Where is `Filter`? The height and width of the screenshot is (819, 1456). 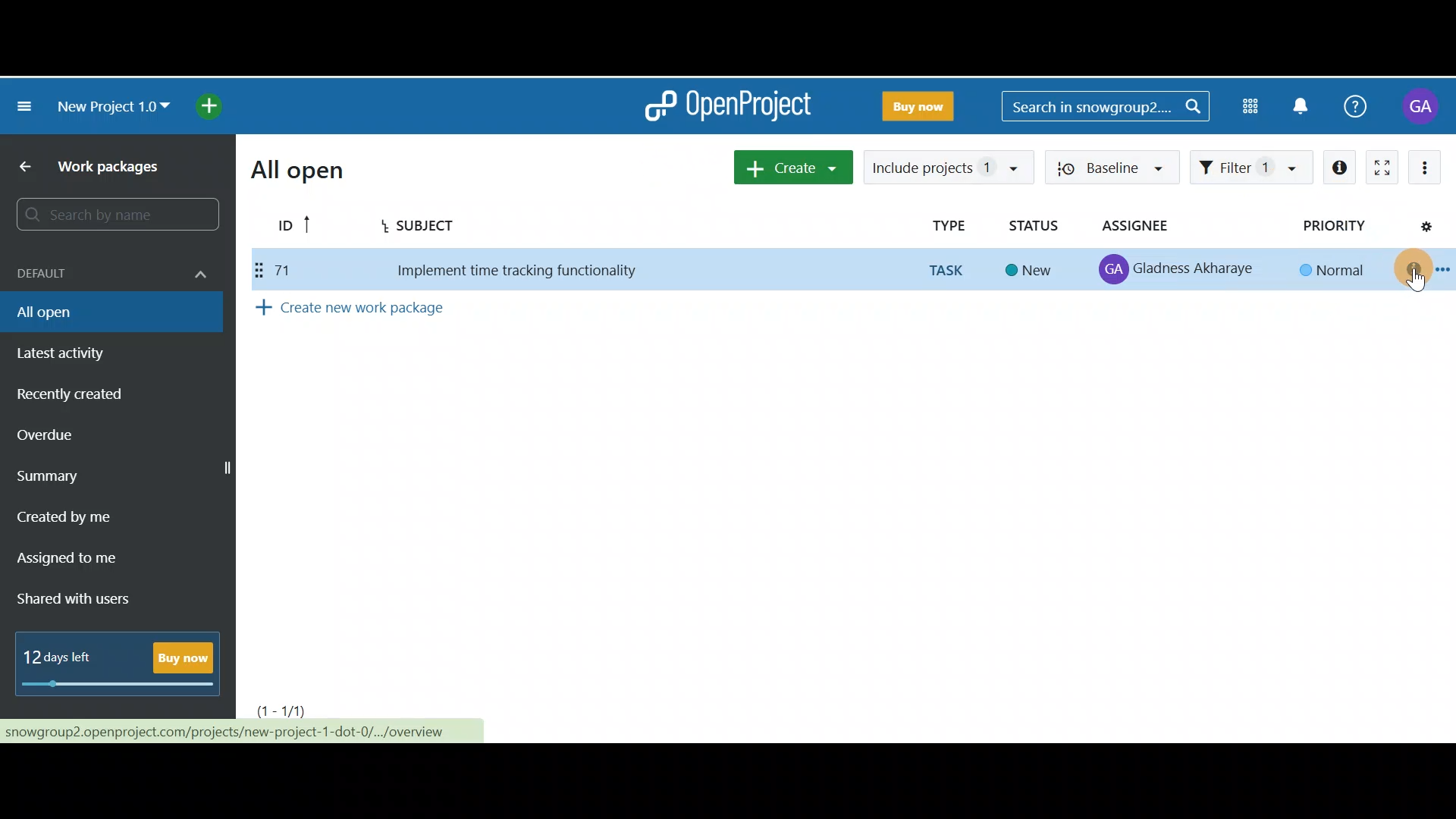
Filter is located at coordinates (1254, 168).